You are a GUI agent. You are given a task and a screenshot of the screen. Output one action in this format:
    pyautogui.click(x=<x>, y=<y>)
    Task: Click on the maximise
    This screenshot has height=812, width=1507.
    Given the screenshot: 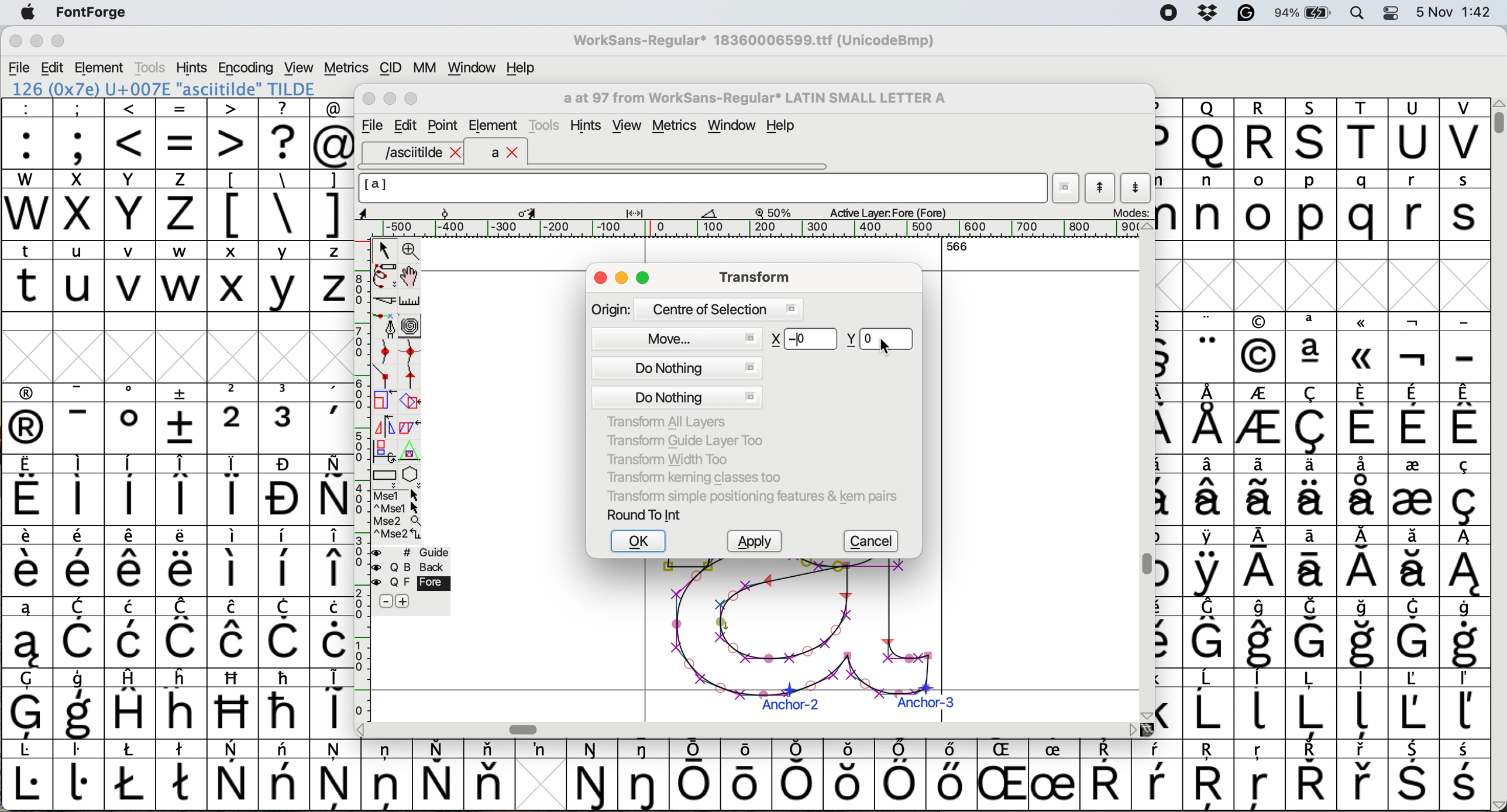 What is the action you would take?
    pyautogui.click(x=645, y=280)
    